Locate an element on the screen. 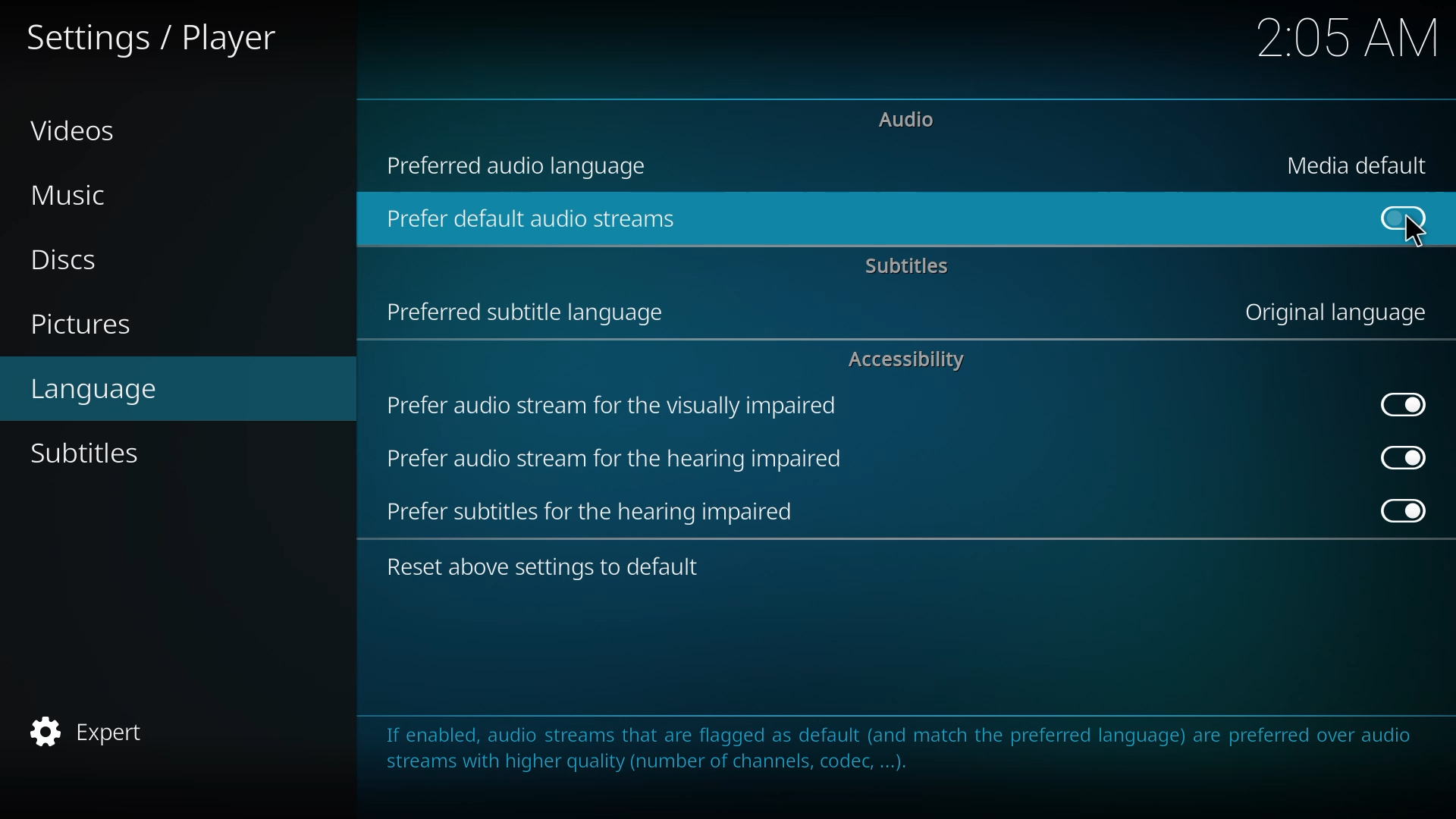  disabled is located at coordinates (1400, 217).